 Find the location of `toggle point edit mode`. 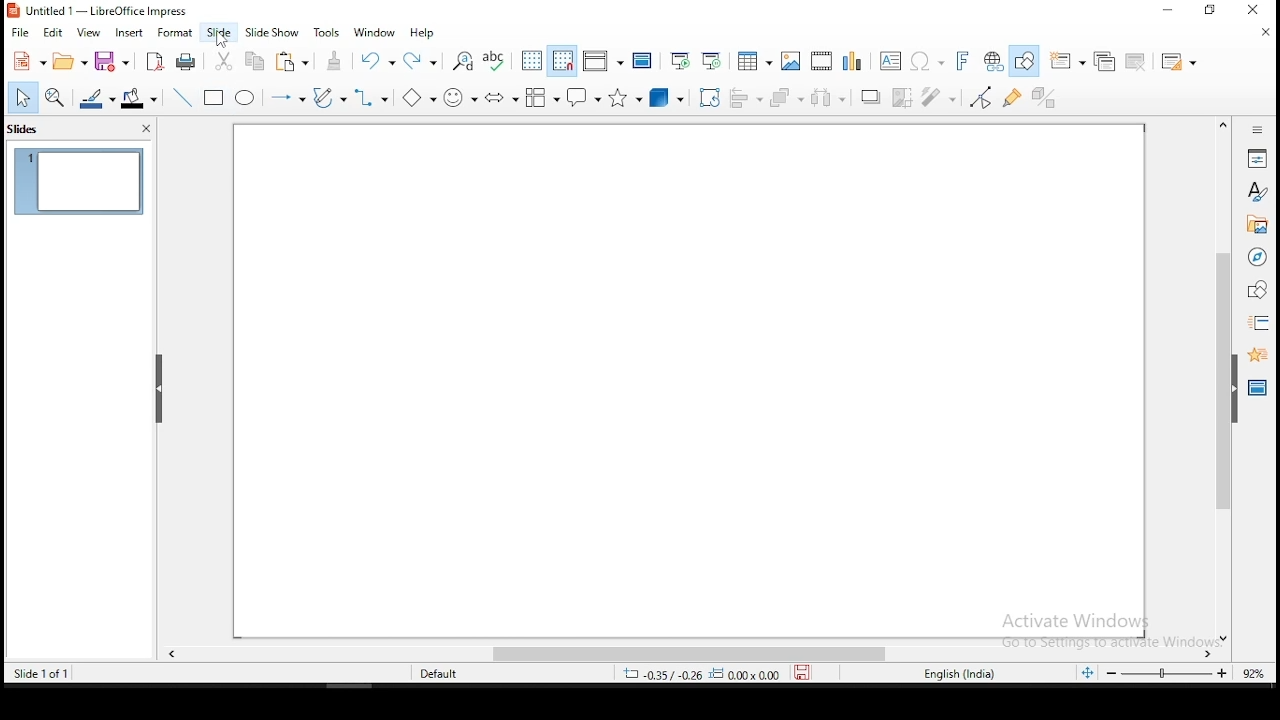

toggle point edit mode is located at coordinates (982, 96).